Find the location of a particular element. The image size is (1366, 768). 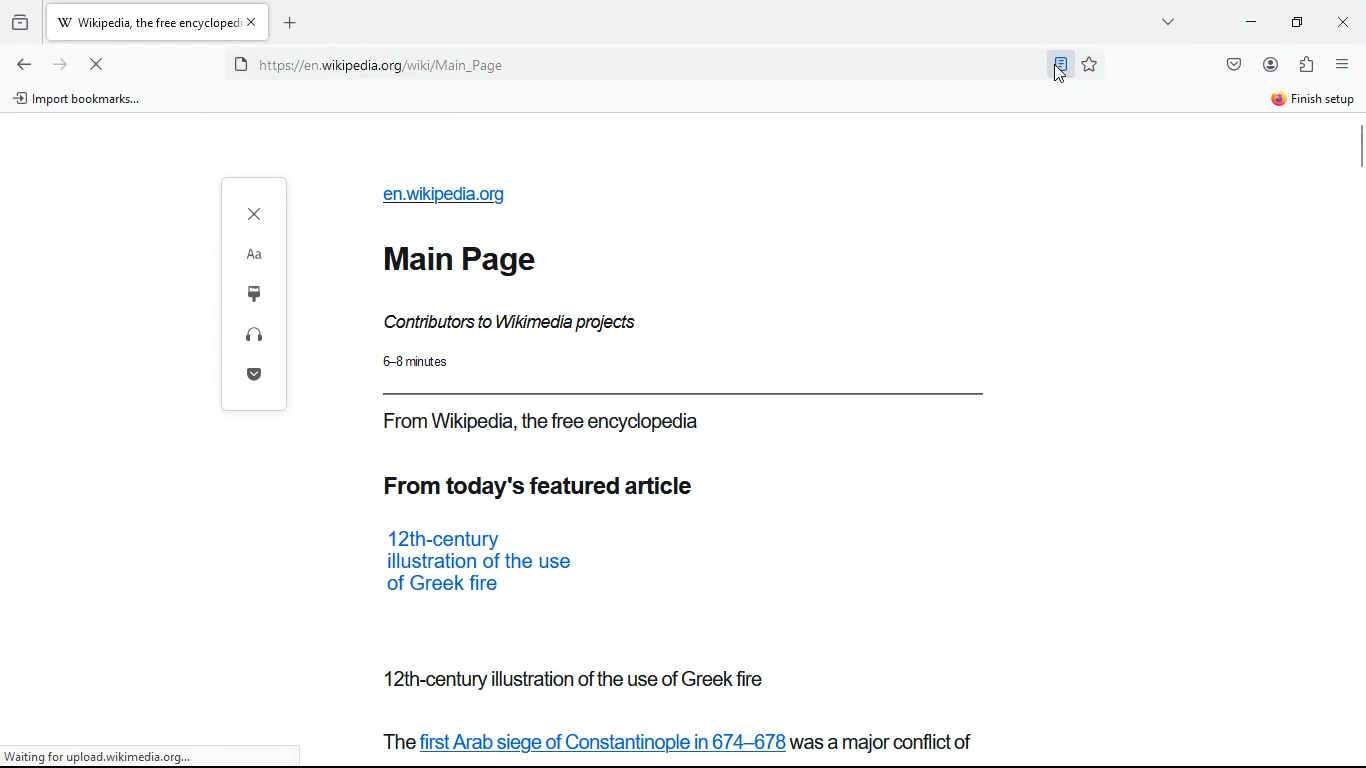

url is located at coordinates (110, 758).